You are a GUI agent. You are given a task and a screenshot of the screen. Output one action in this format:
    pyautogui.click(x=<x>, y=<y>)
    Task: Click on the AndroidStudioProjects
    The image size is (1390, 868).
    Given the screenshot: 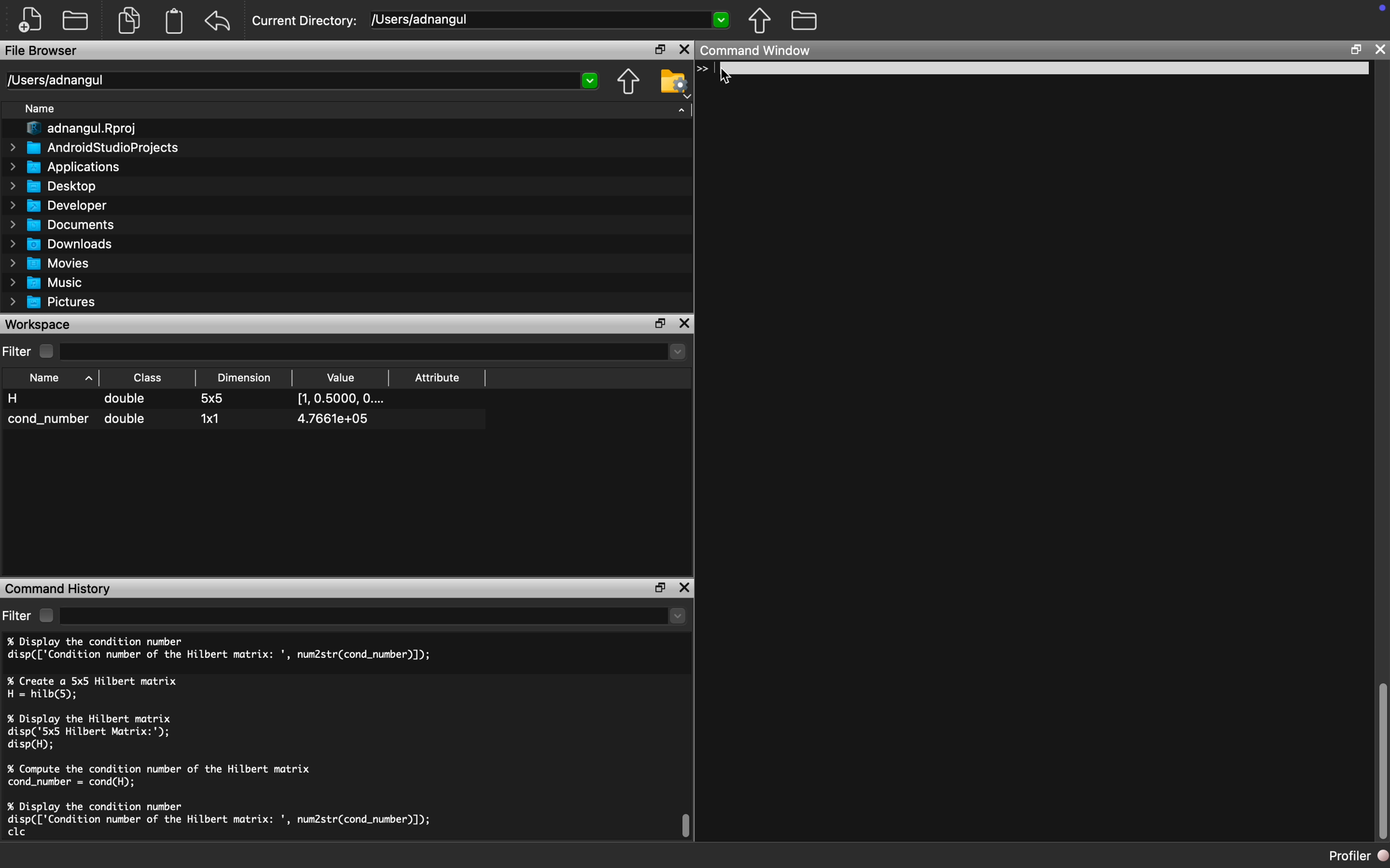 What is the action you would take?
    pyautogui.click(x=94, y=148)
    